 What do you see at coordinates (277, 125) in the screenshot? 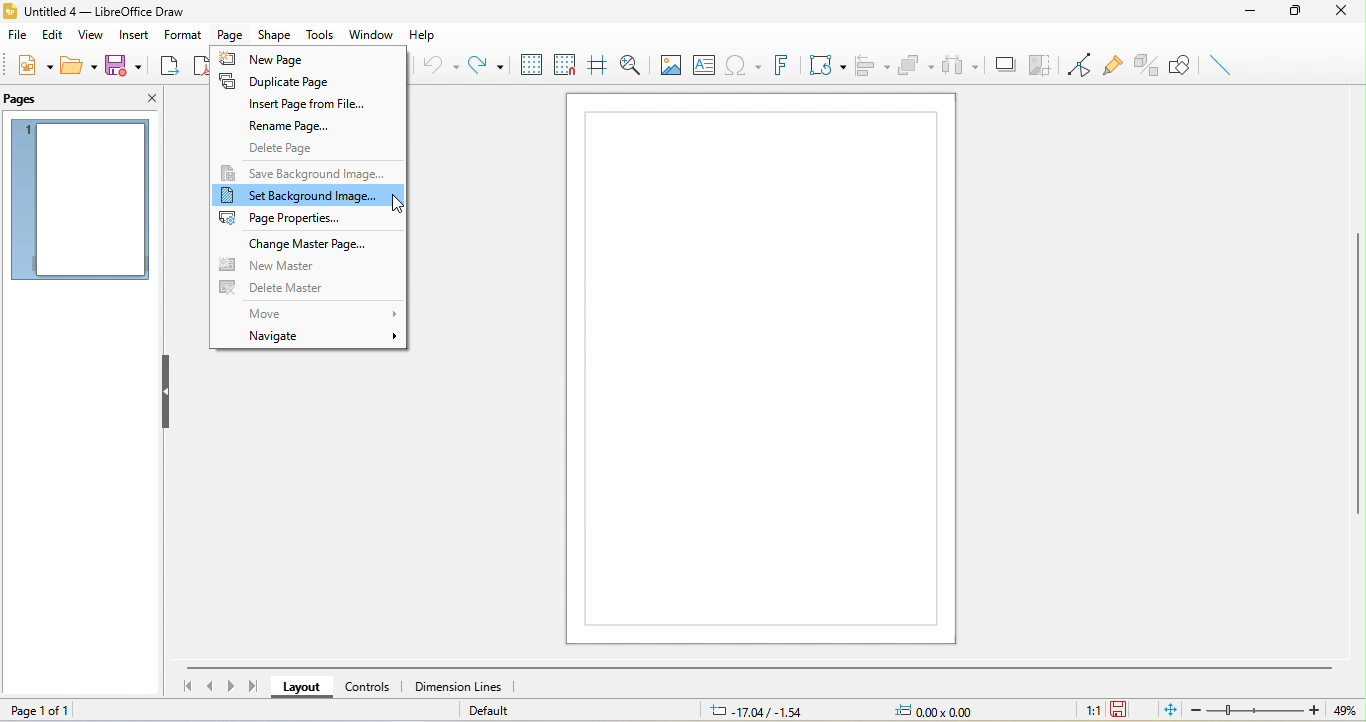
I see `rename page` at bounding box center [277, 125].